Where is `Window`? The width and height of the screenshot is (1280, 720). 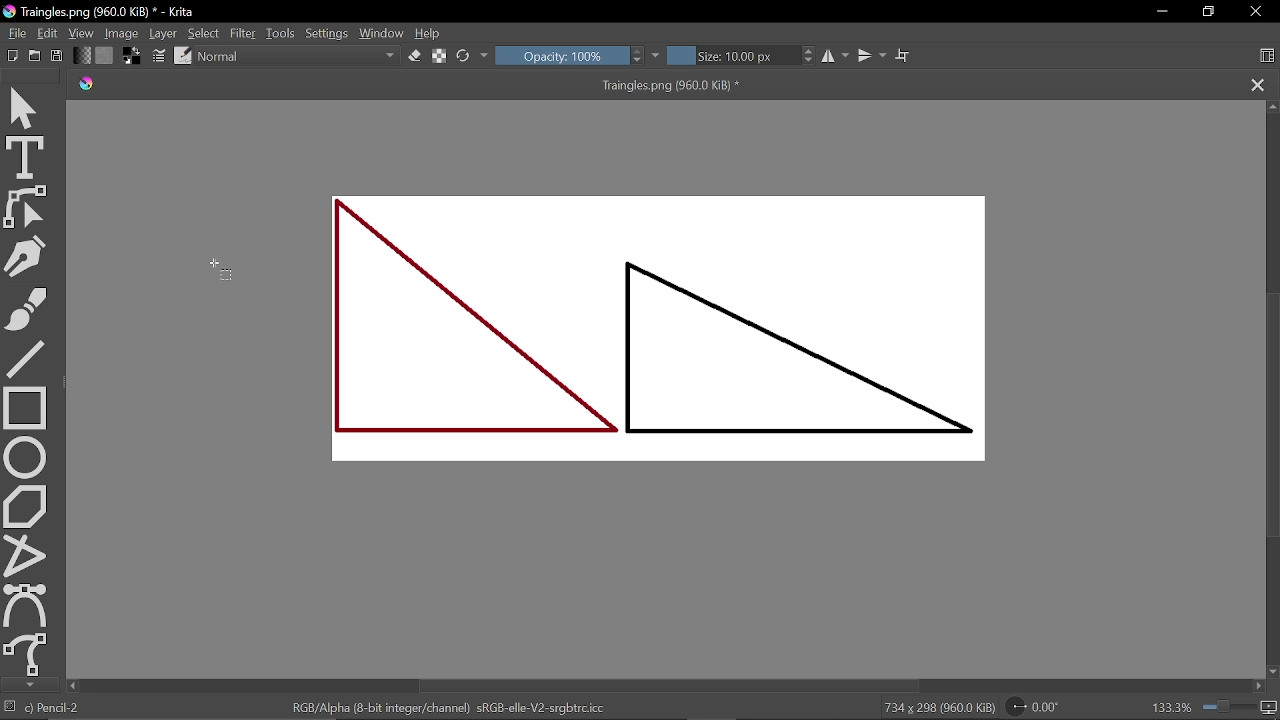
Window is located at coordinates (382, 33).